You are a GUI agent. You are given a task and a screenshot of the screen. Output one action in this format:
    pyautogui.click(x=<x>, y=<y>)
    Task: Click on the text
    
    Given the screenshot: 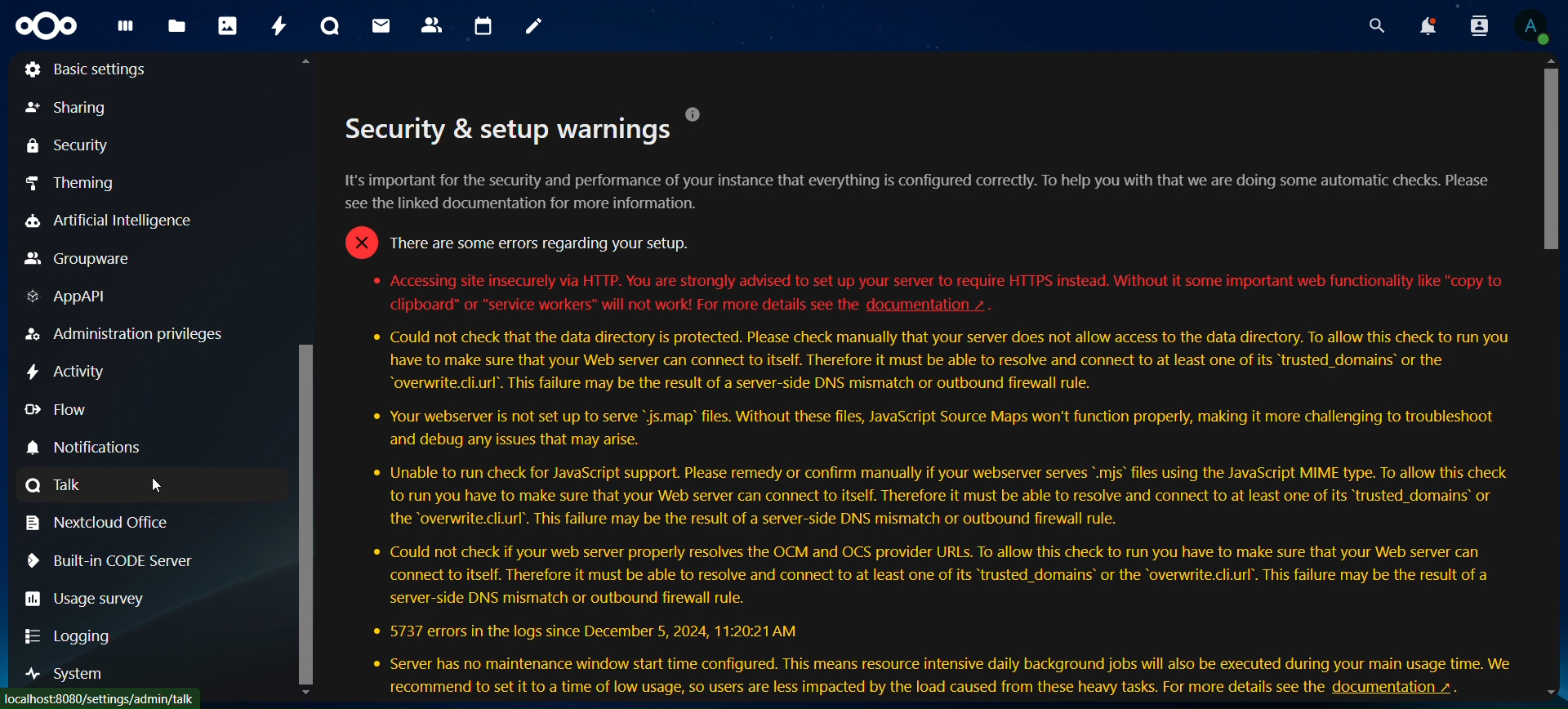 What is the action you would take?
    pyautogui.click(x=611, y=305)
    